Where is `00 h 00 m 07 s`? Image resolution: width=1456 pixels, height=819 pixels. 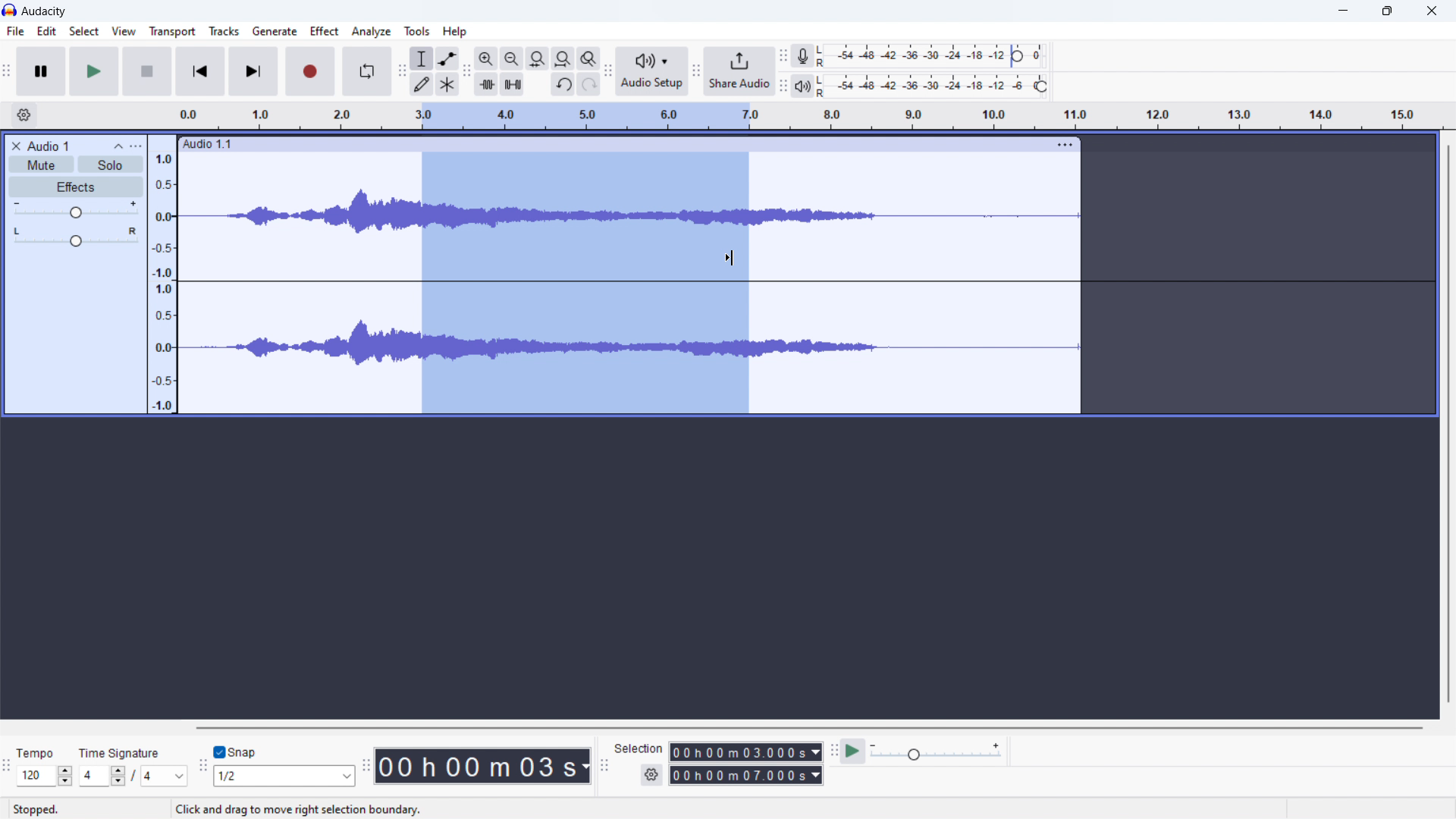
00 h 00 m 07 s is located at coordinates (483, 765).